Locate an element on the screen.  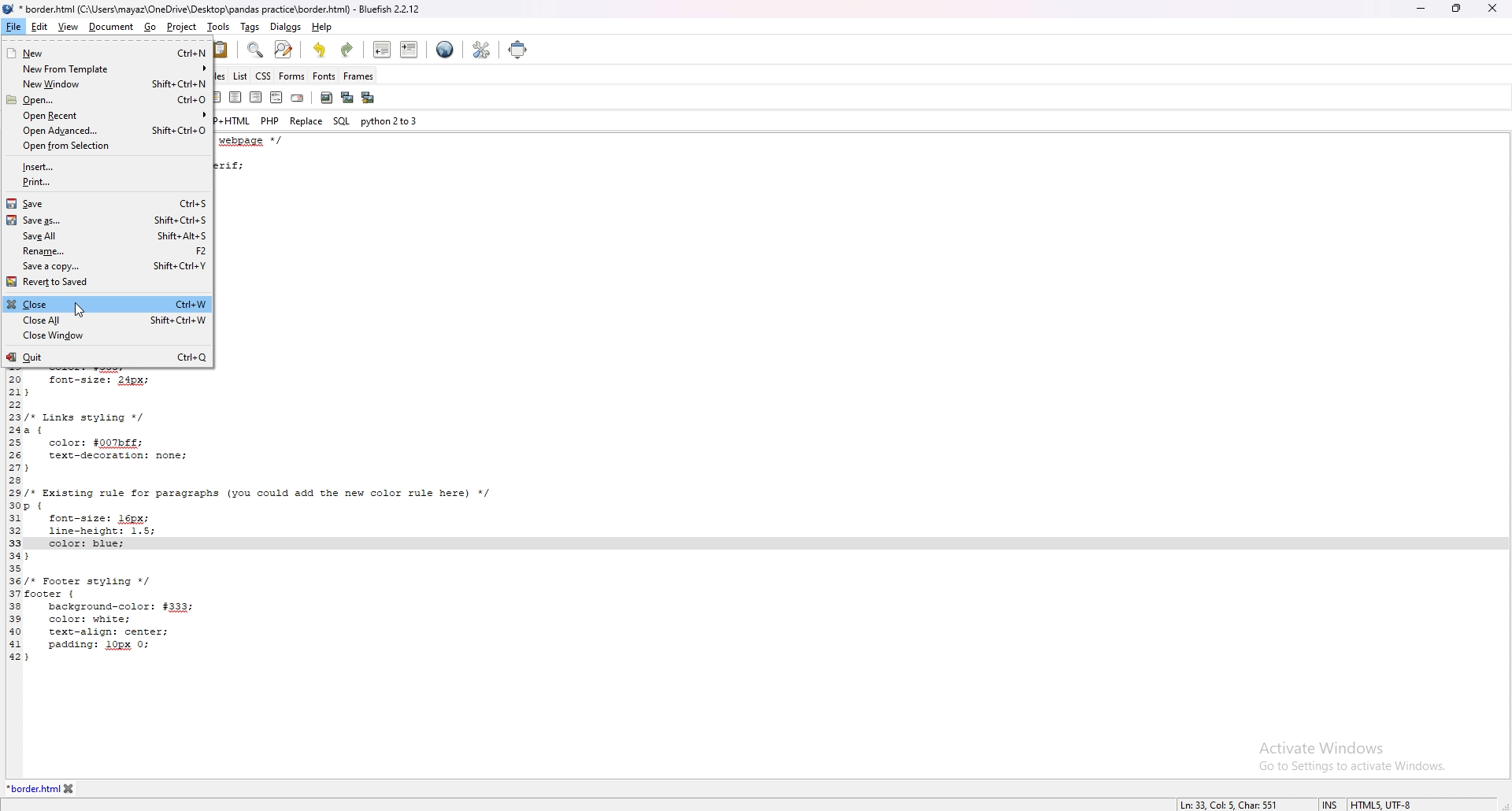
multi thumbnail is located at coordinates (370, 97).